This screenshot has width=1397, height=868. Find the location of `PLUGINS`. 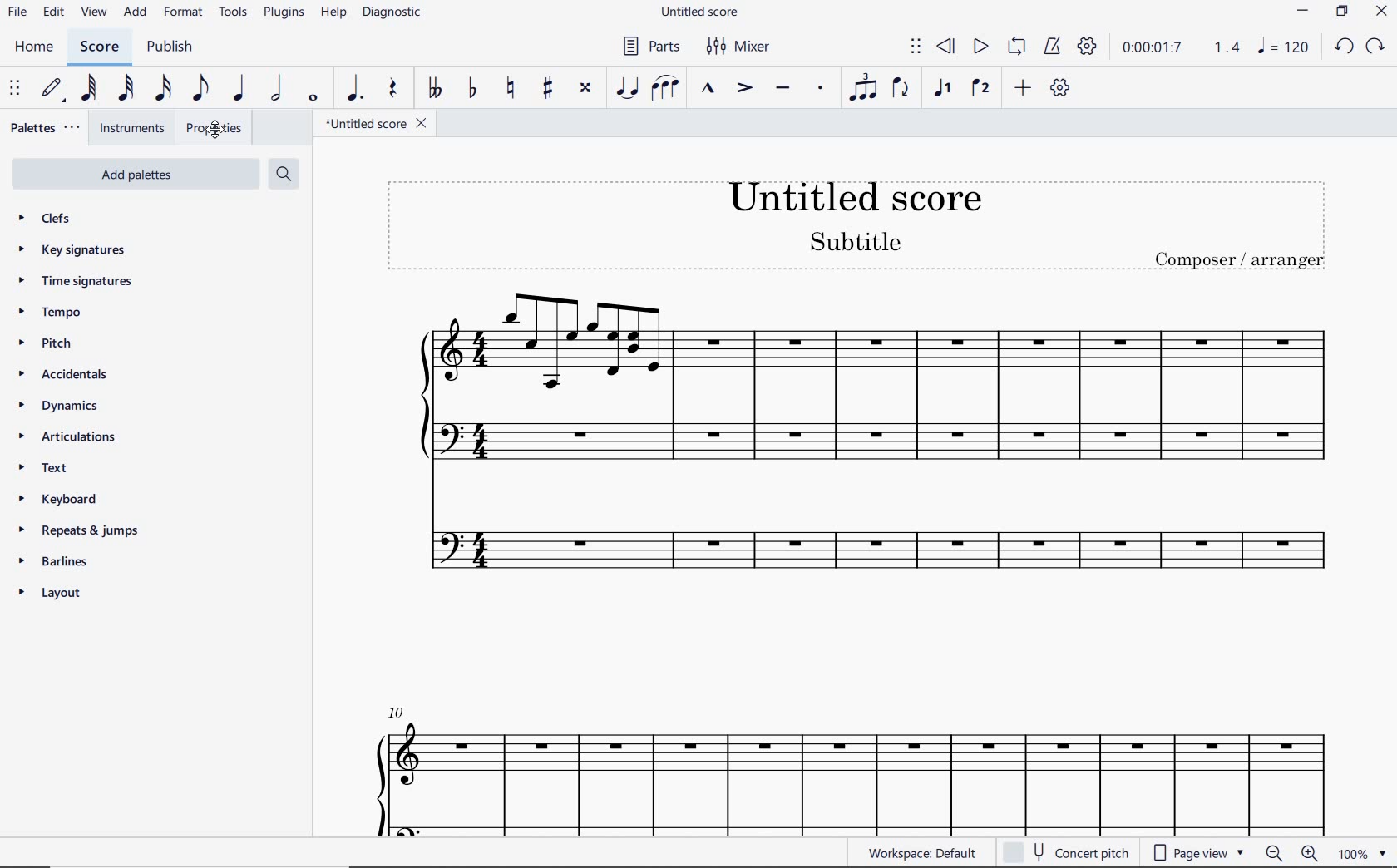

PLUGINS is located at coordinates (283, 13).